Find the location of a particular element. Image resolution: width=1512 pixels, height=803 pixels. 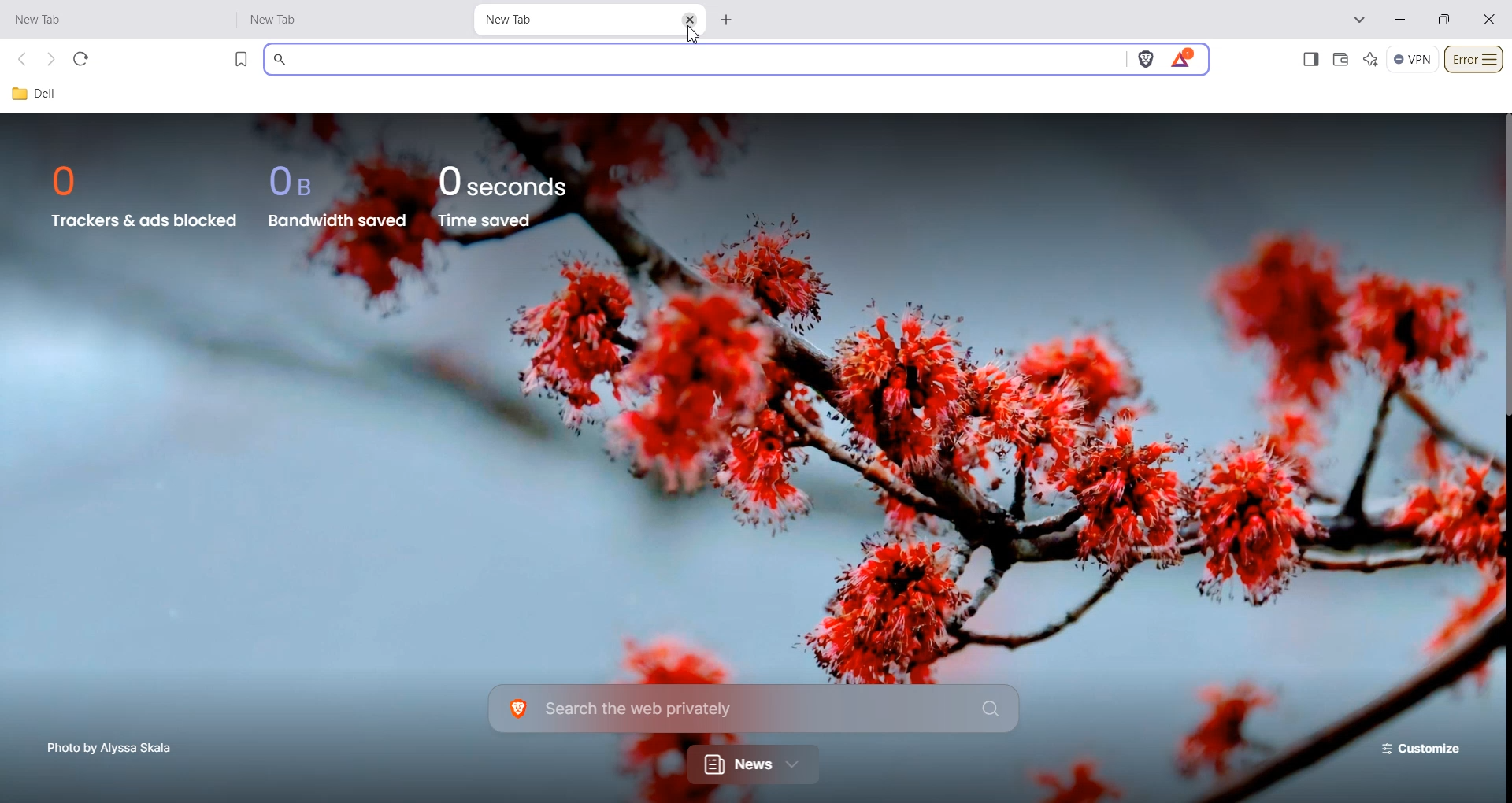

Dell File is located at coordinates (40, 94).